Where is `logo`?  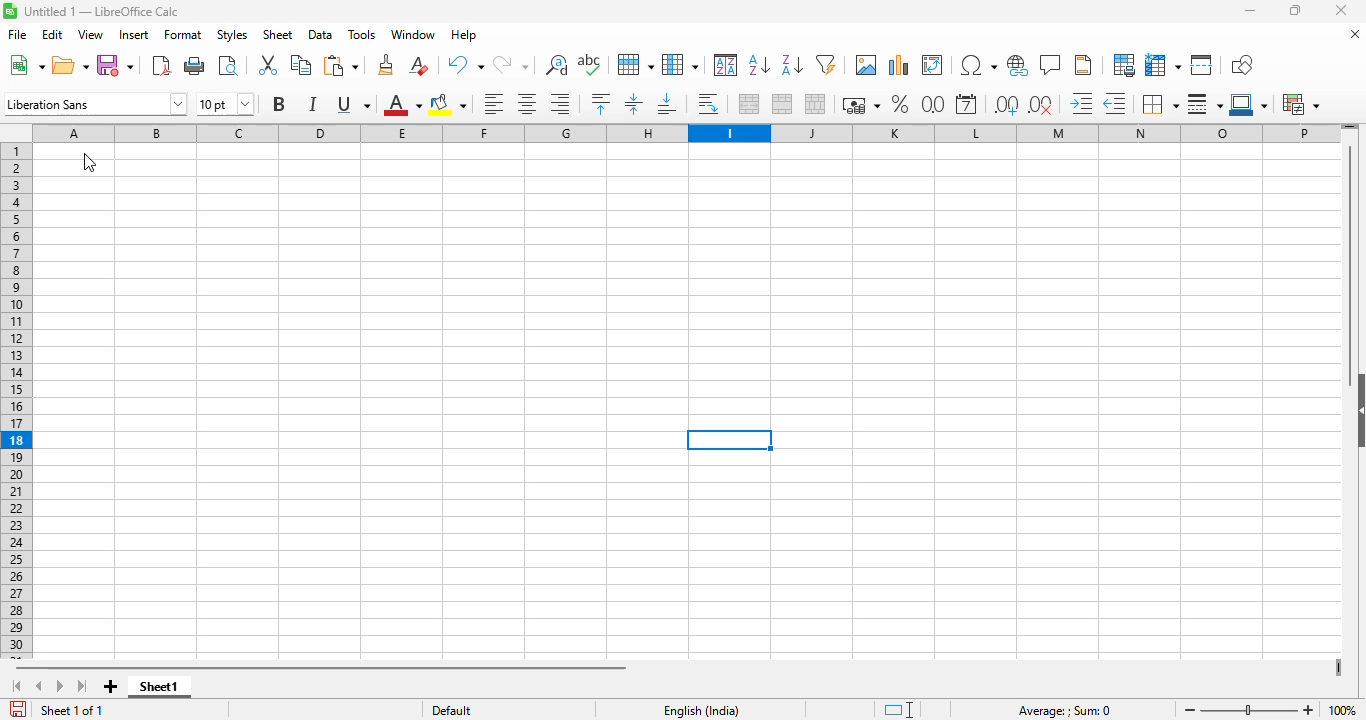
logo is located at coordinates (10, 11).